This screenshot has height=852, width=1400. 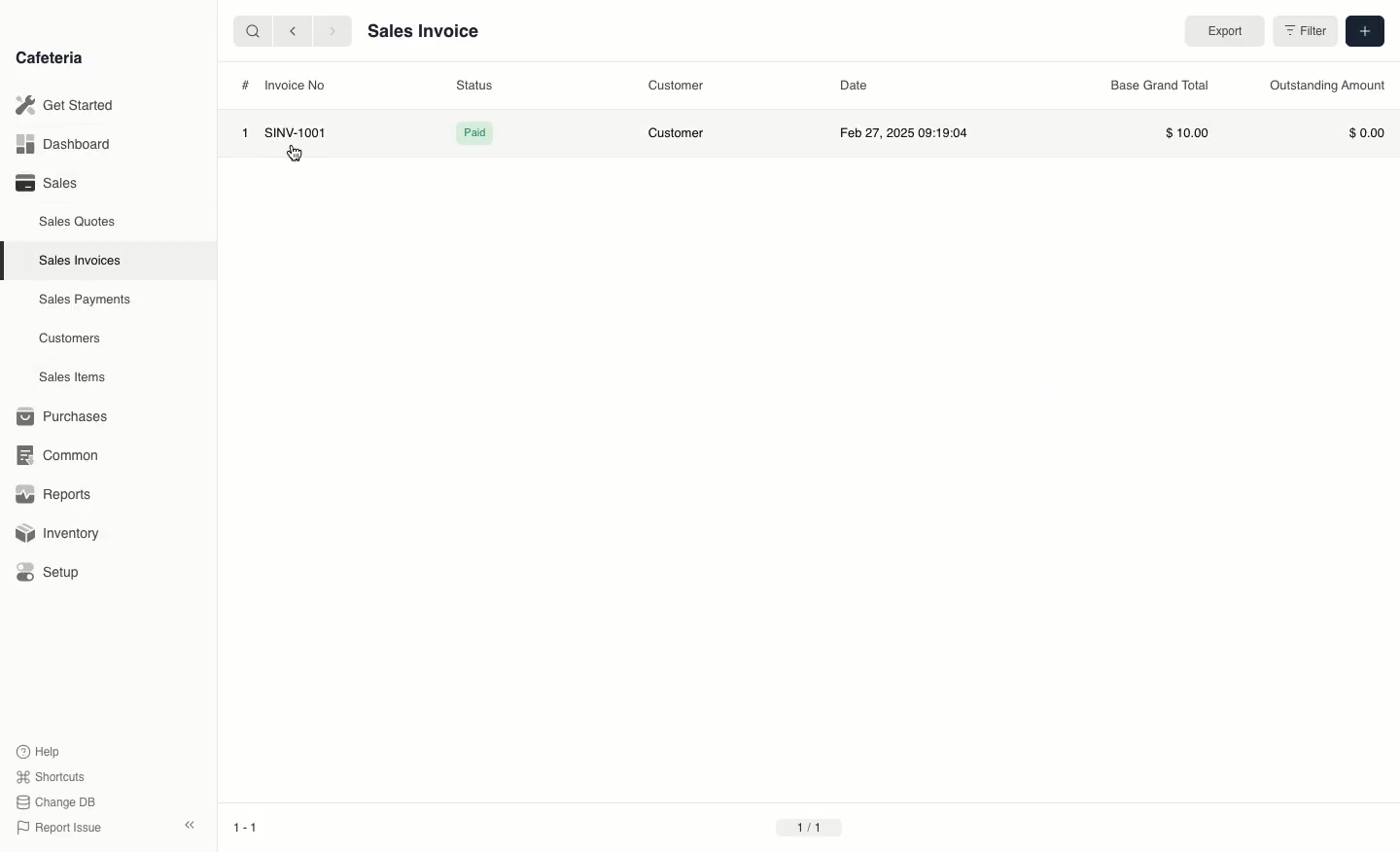 What do you see at coordinates (80, 262) in the screenshot?
I see `Sales Invoices` at bounding box center [80, 262].